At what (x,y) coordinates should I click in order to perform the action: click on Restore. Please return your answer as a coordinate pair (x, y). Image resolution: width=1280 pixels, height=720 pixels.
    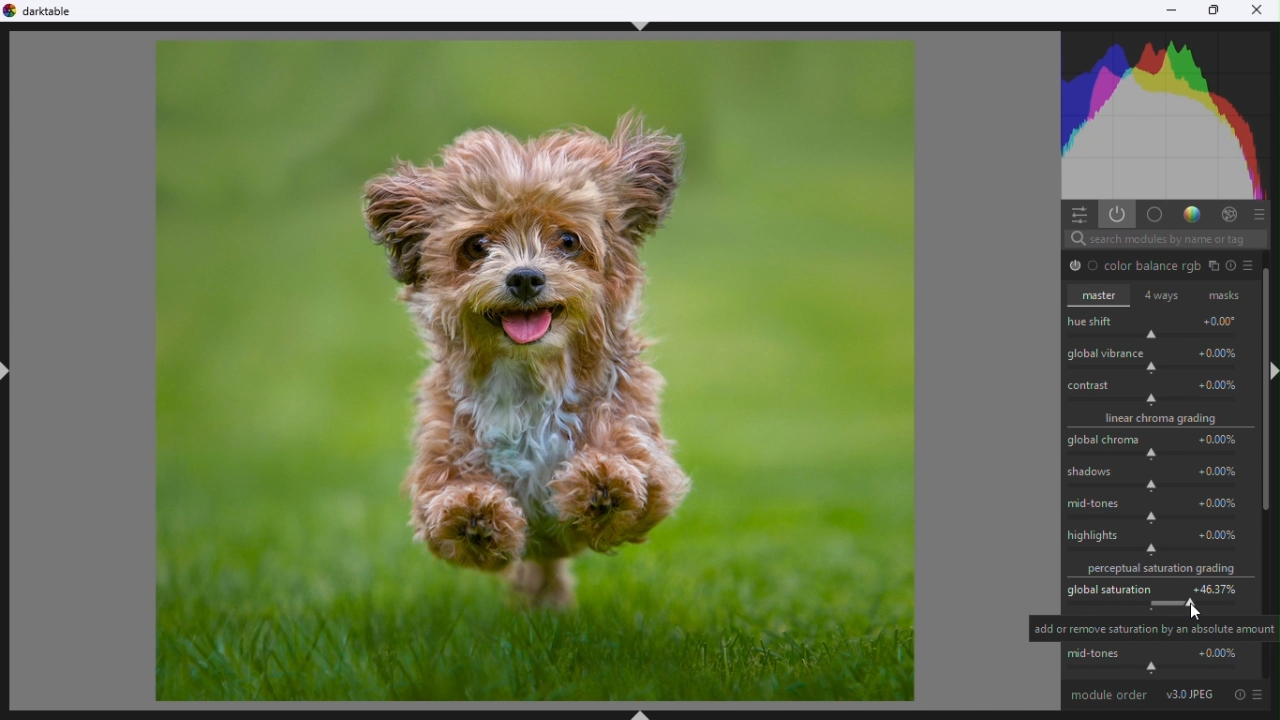
    Looking at the image, I should click on (1215, 11).